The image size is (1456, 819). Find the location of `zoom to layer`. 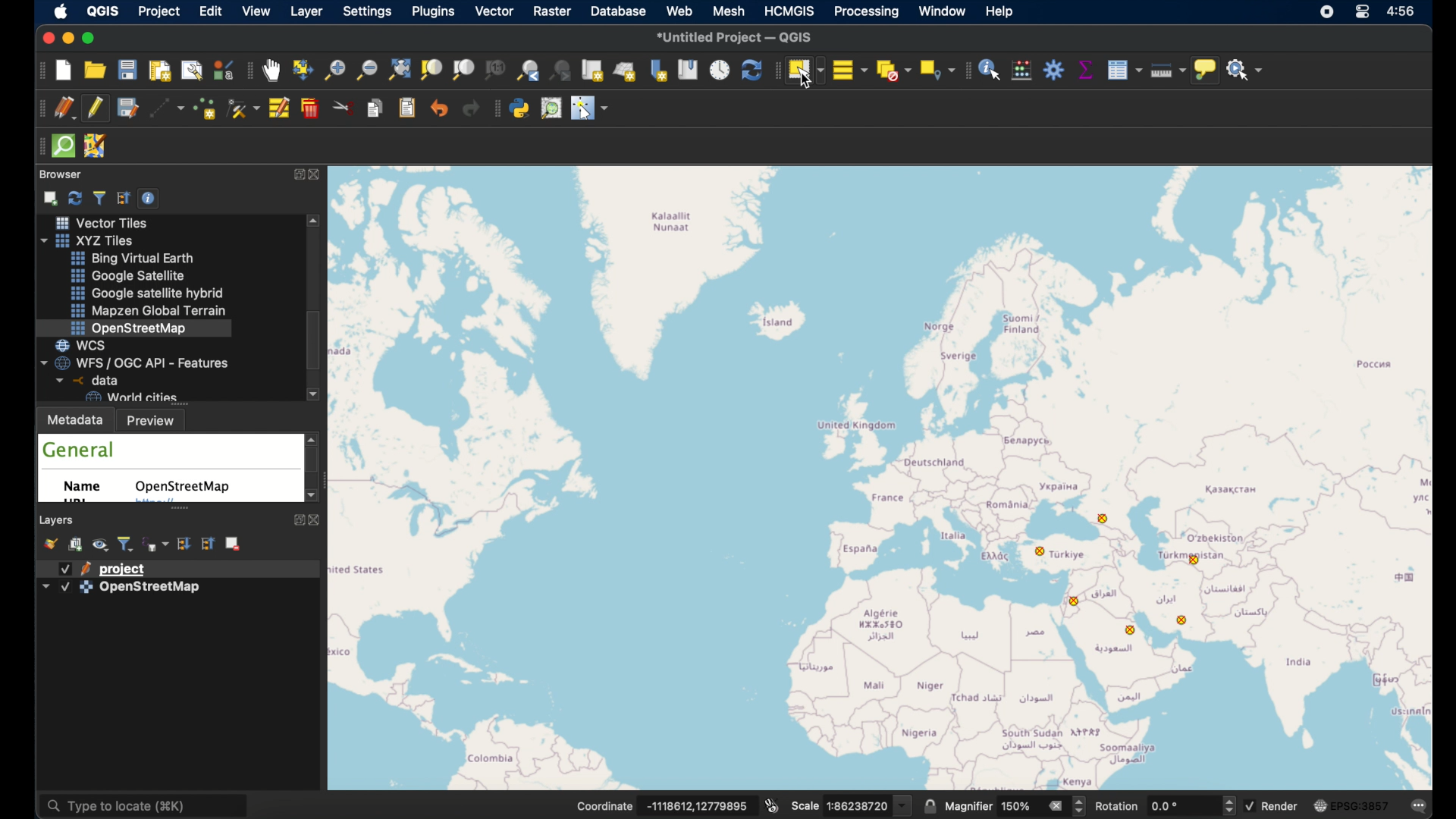

zoom to layer is located at coordinates (463, 71).